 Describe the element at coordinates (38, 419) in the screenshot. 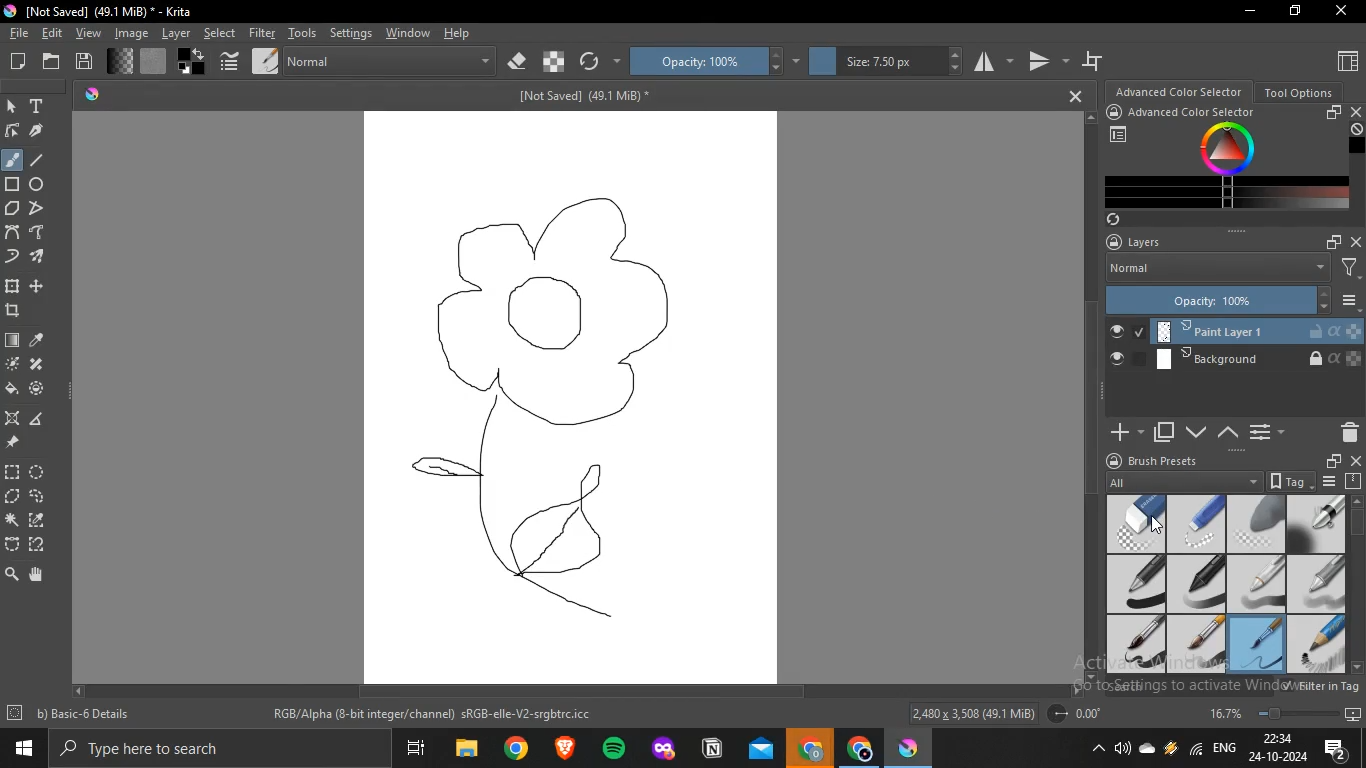

I see `measure distance between 2 points` at that location.